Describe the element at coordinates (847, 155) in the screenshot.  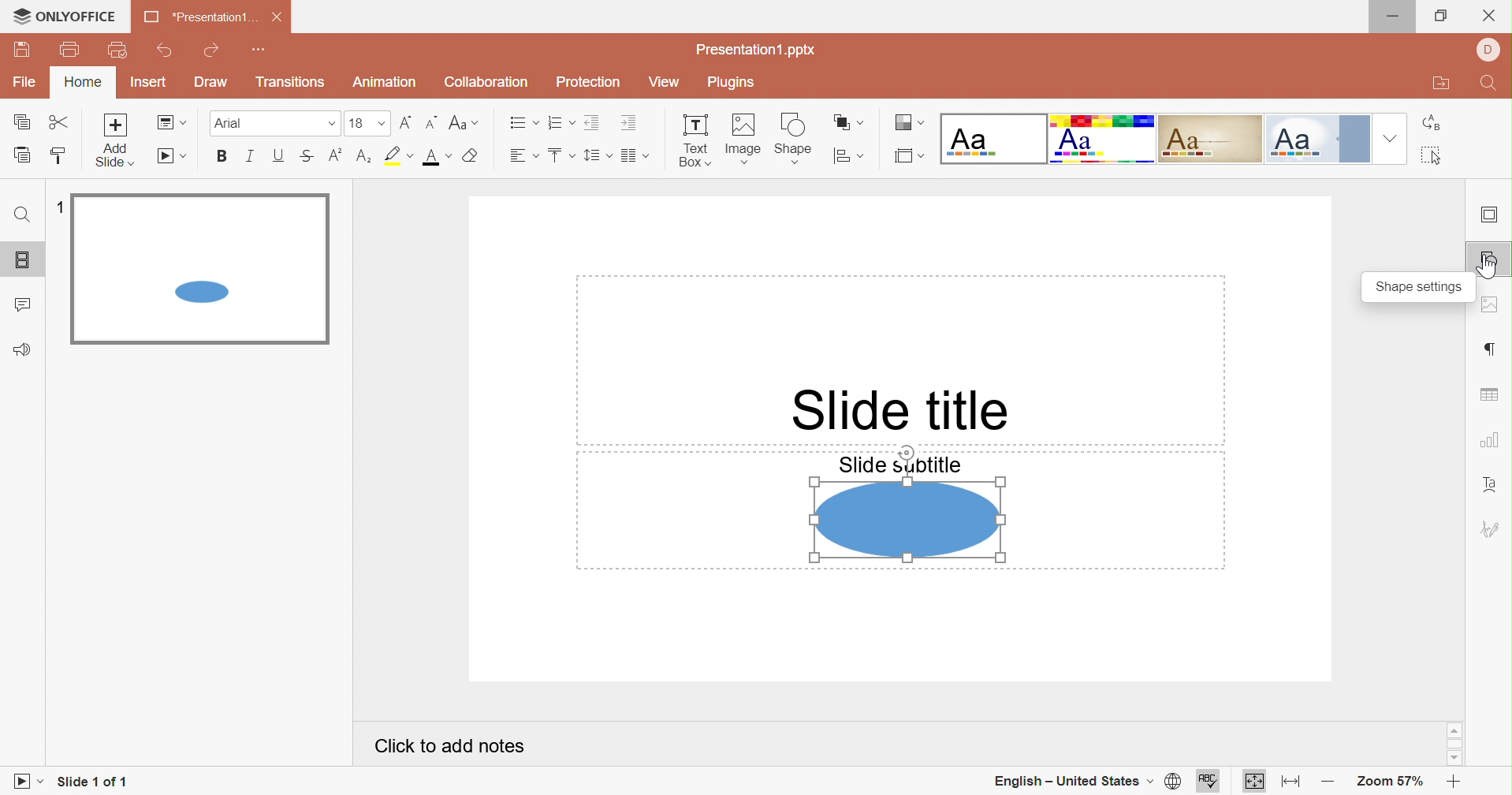
I see `Align shape` at that location.